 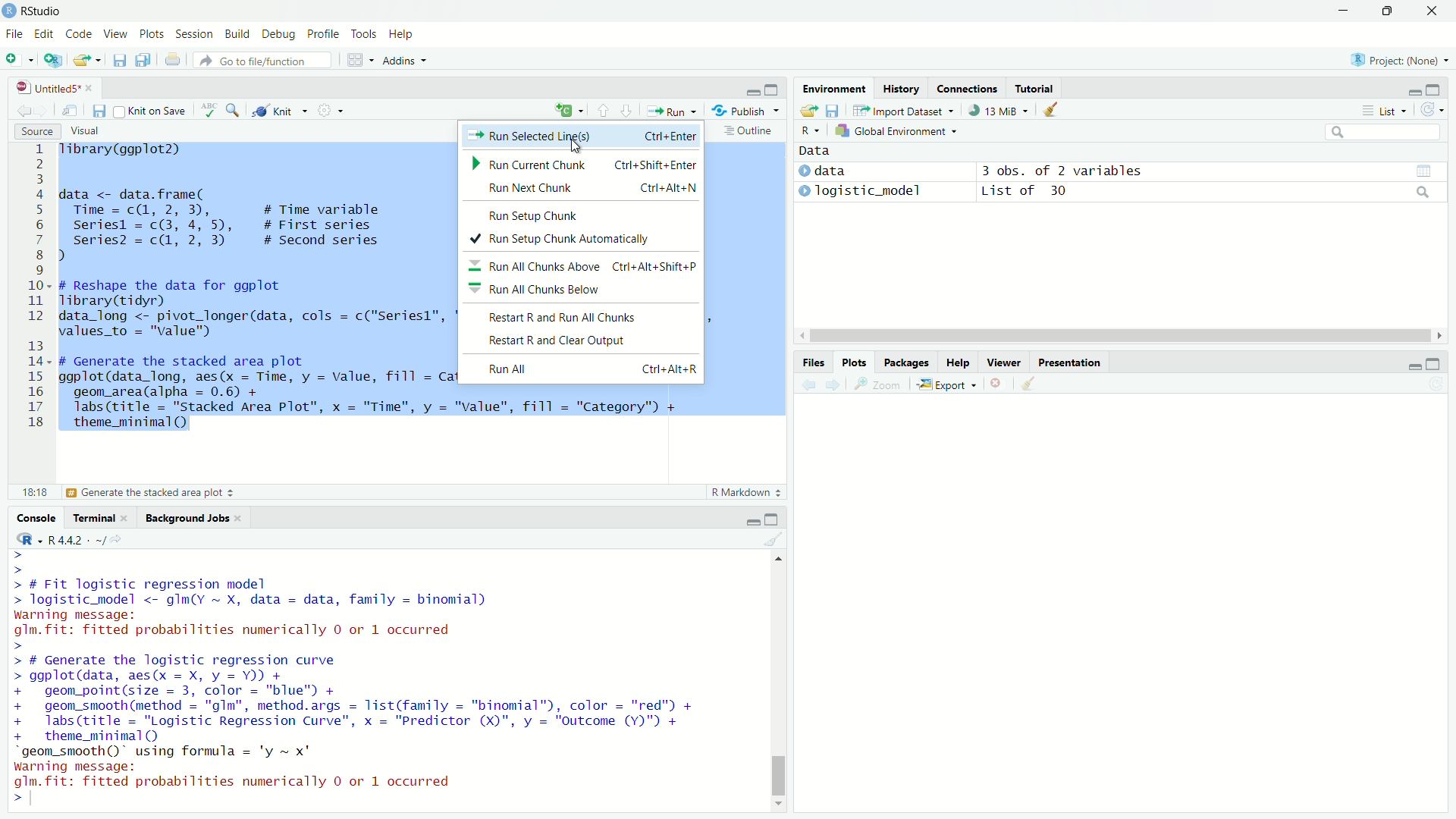 What do you see at coordinates (77, 33) in the screenshot?
I see `Code` at bounding box center [77, 33].